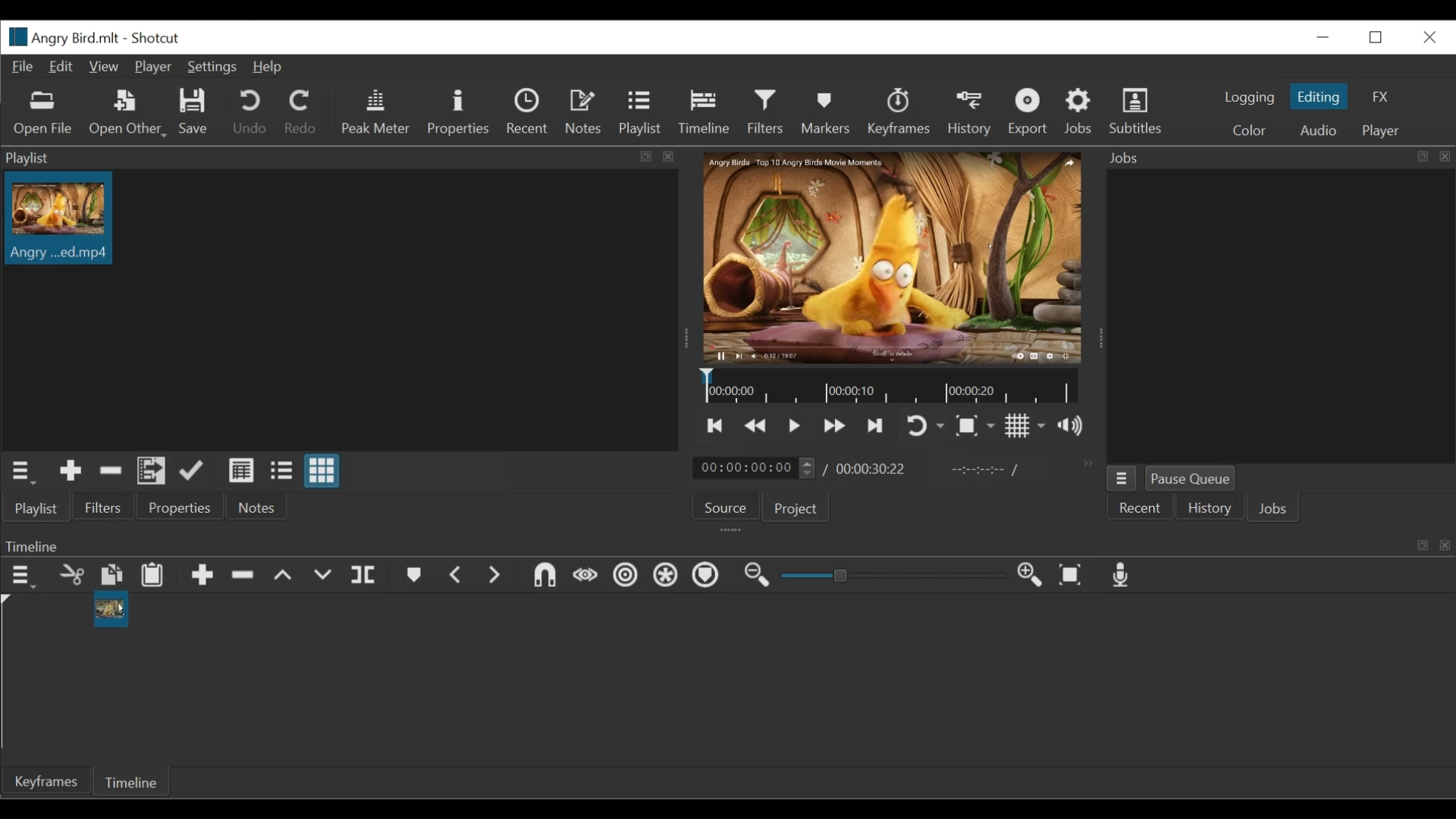 The image size is (1456, 819). I want to click on Next marker, so click(495, 576).